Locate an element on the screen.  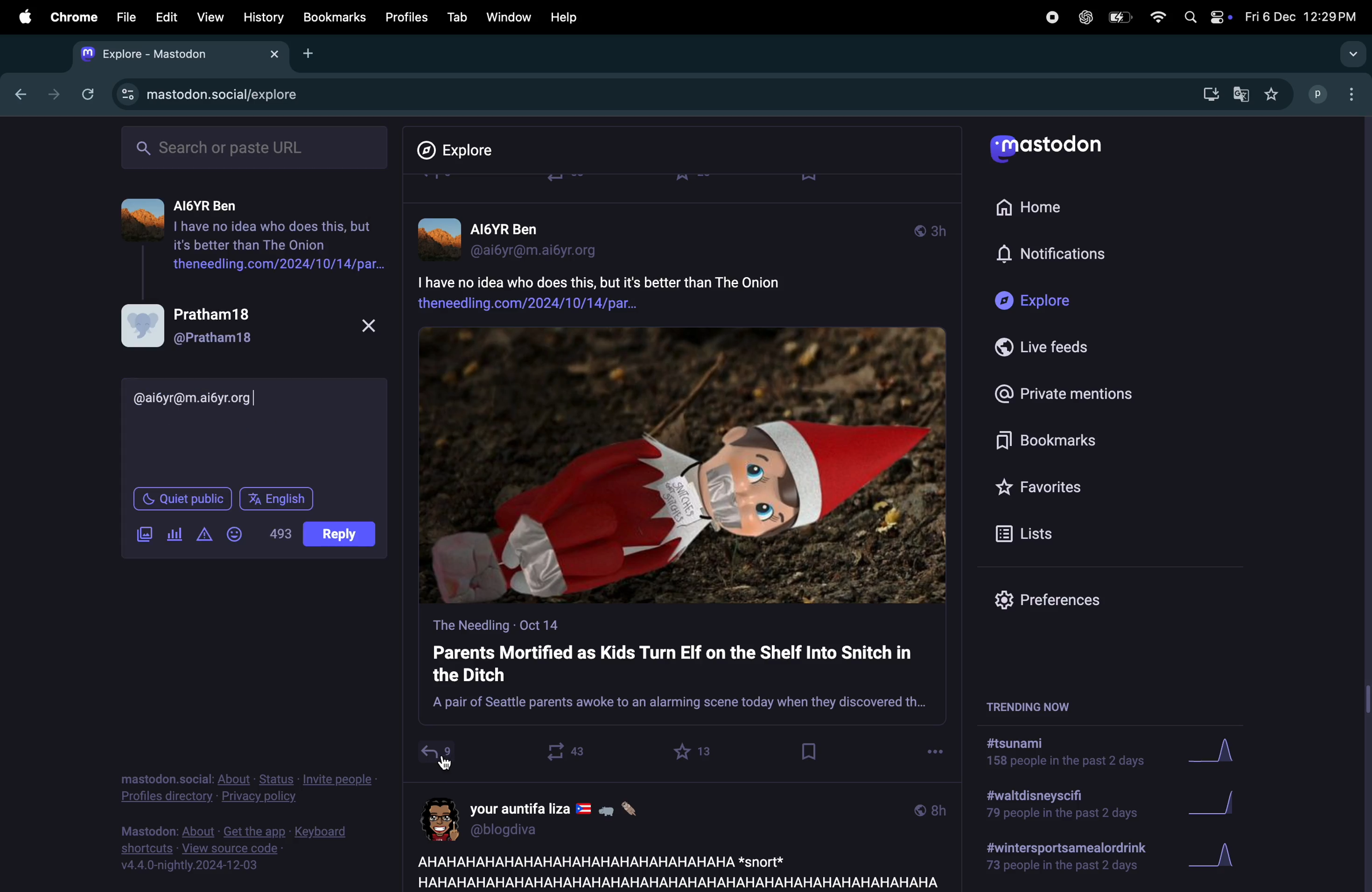
private mentions is located at coordinates (1062, 392).